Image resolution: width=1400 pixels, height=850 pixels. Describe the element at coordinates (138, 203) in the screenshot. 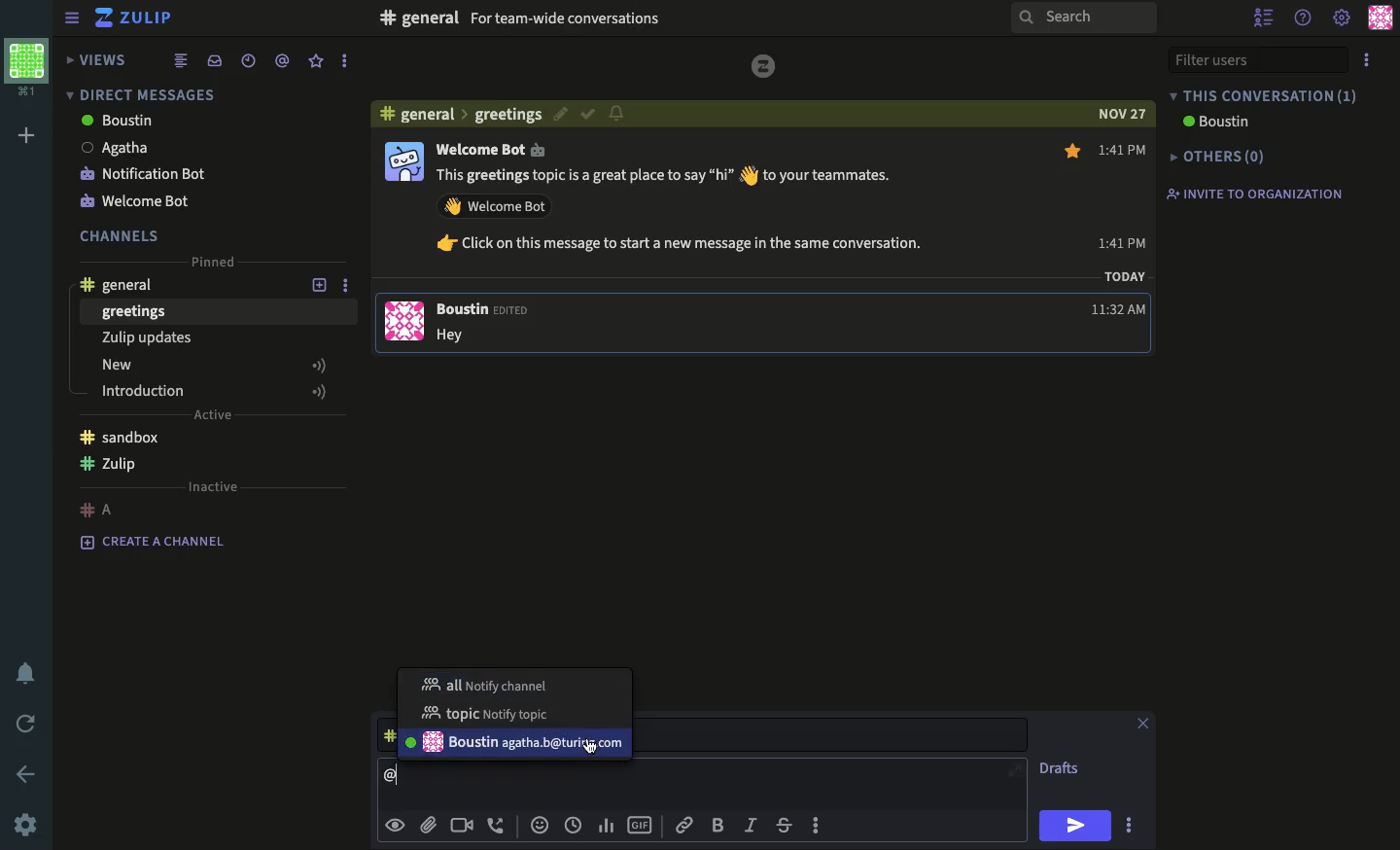

I see `welcome bot` at that location.